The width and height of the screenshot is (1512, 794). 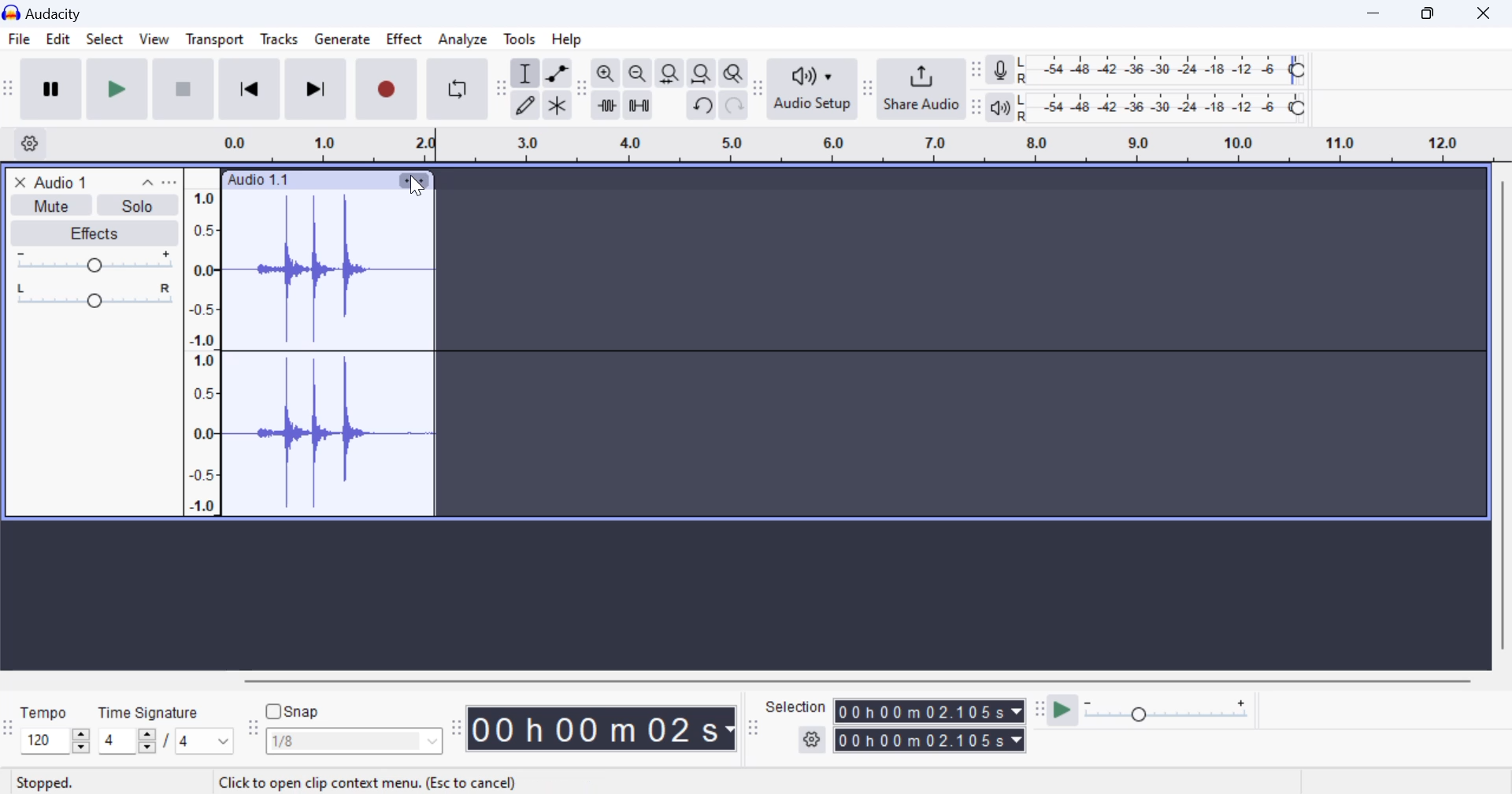 What do you see at coordinates (796, 707) in the screenshot?
I see `Selection` at bounding box center [796, 707].